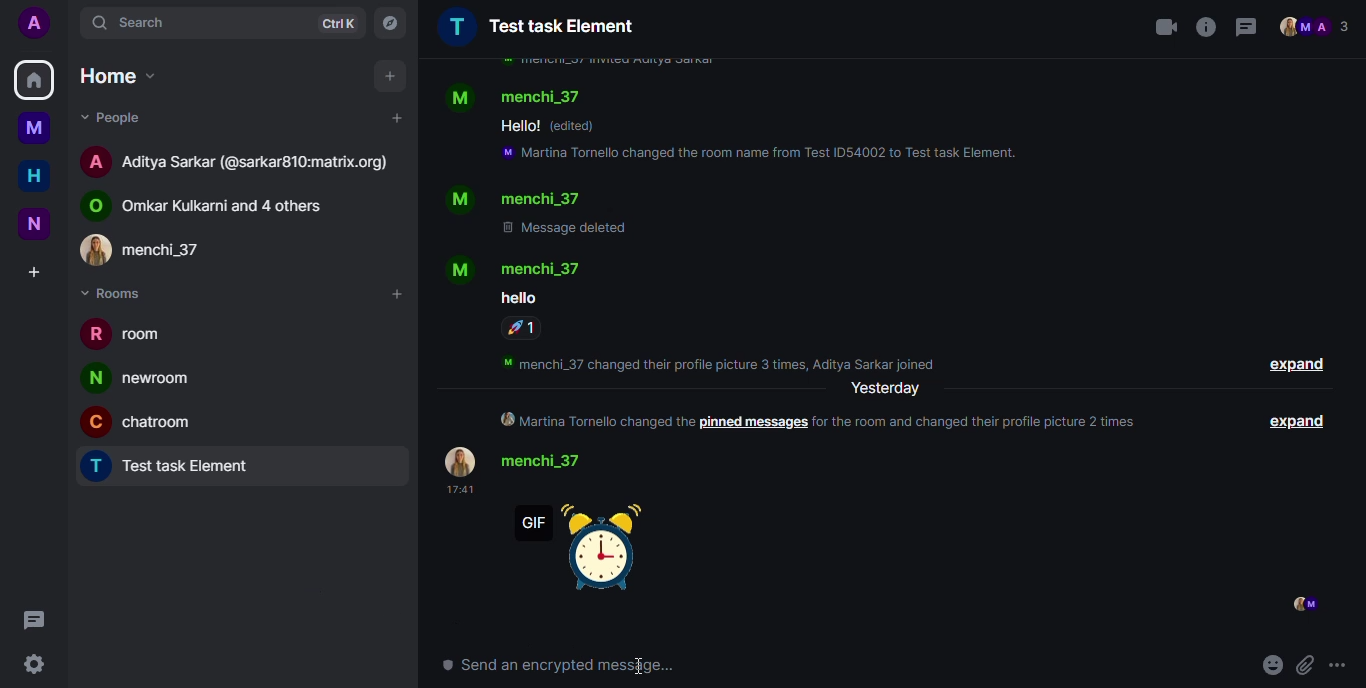  I want to click on message deleted, so click(568, 228).